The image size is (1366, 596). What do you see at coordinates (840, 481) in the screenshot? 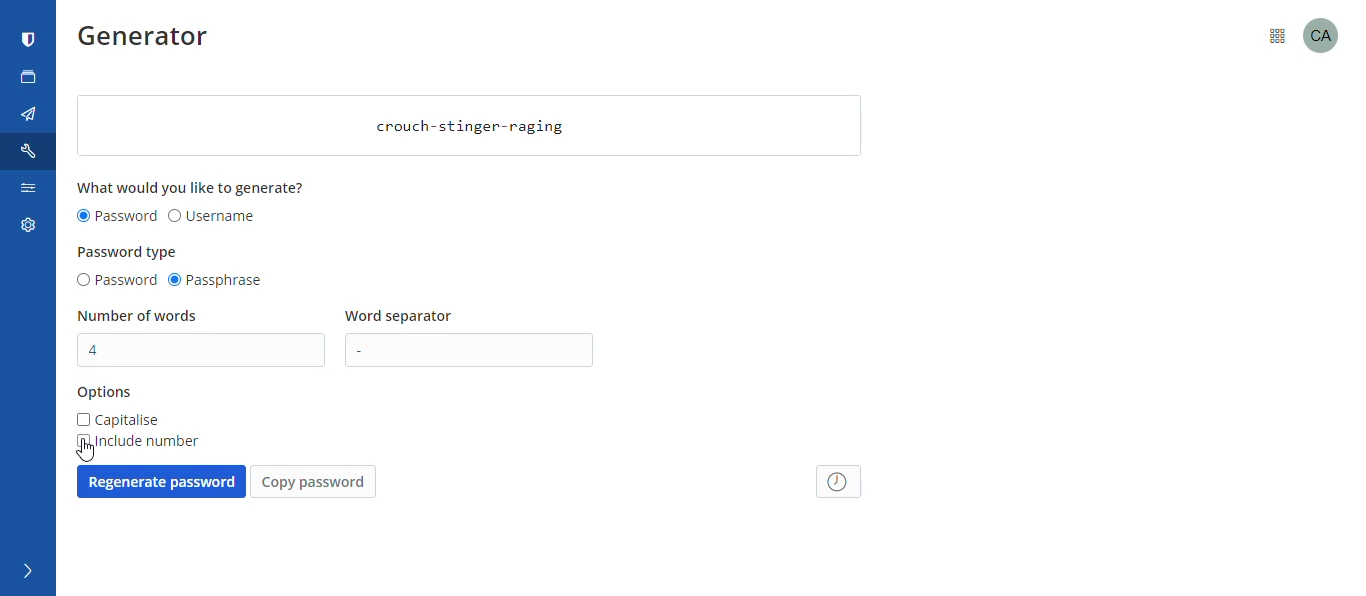
I see `password history` at bounding box center [840, 481].